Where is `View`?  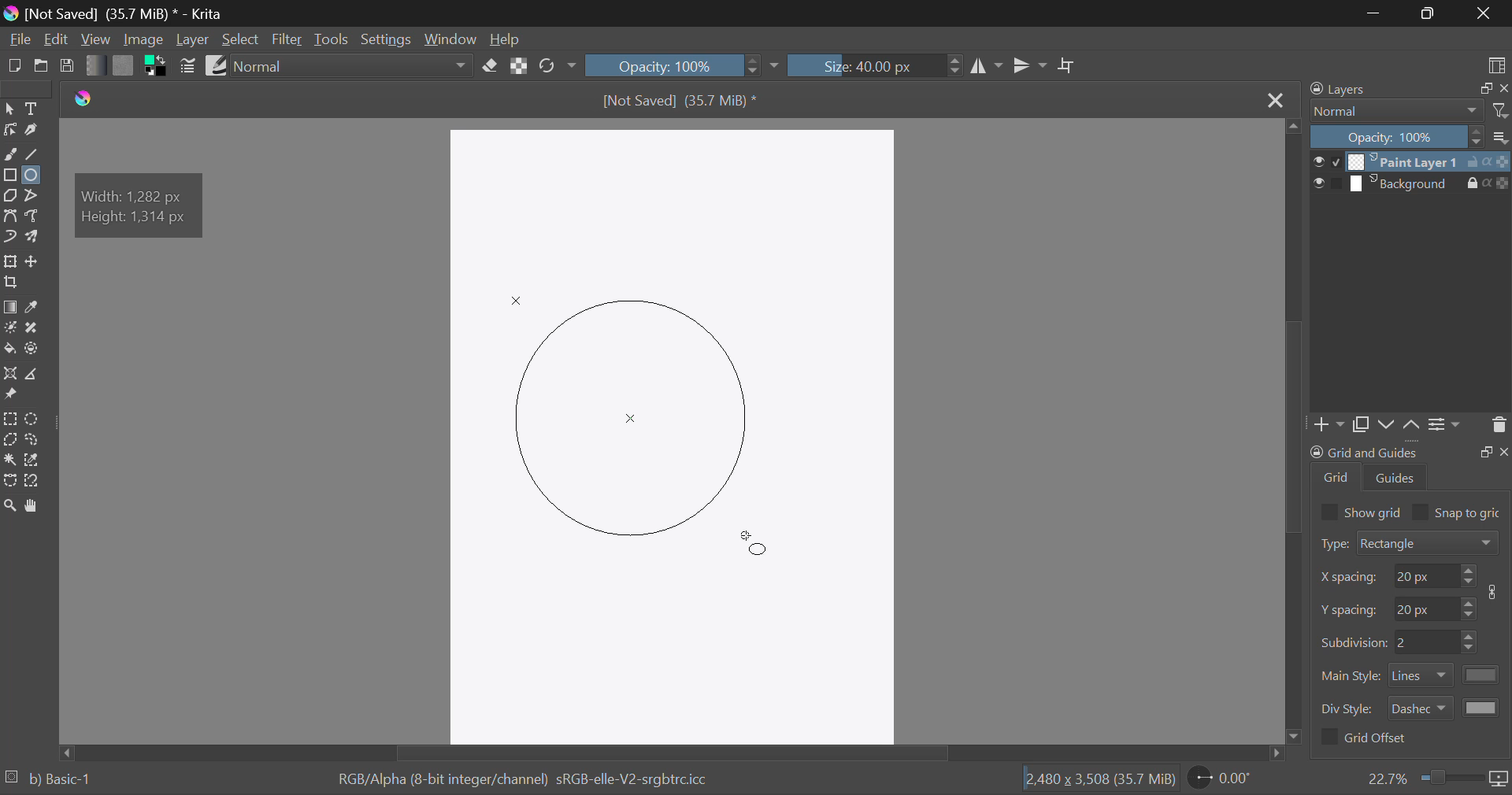 View is located at coordinates (96, 41).